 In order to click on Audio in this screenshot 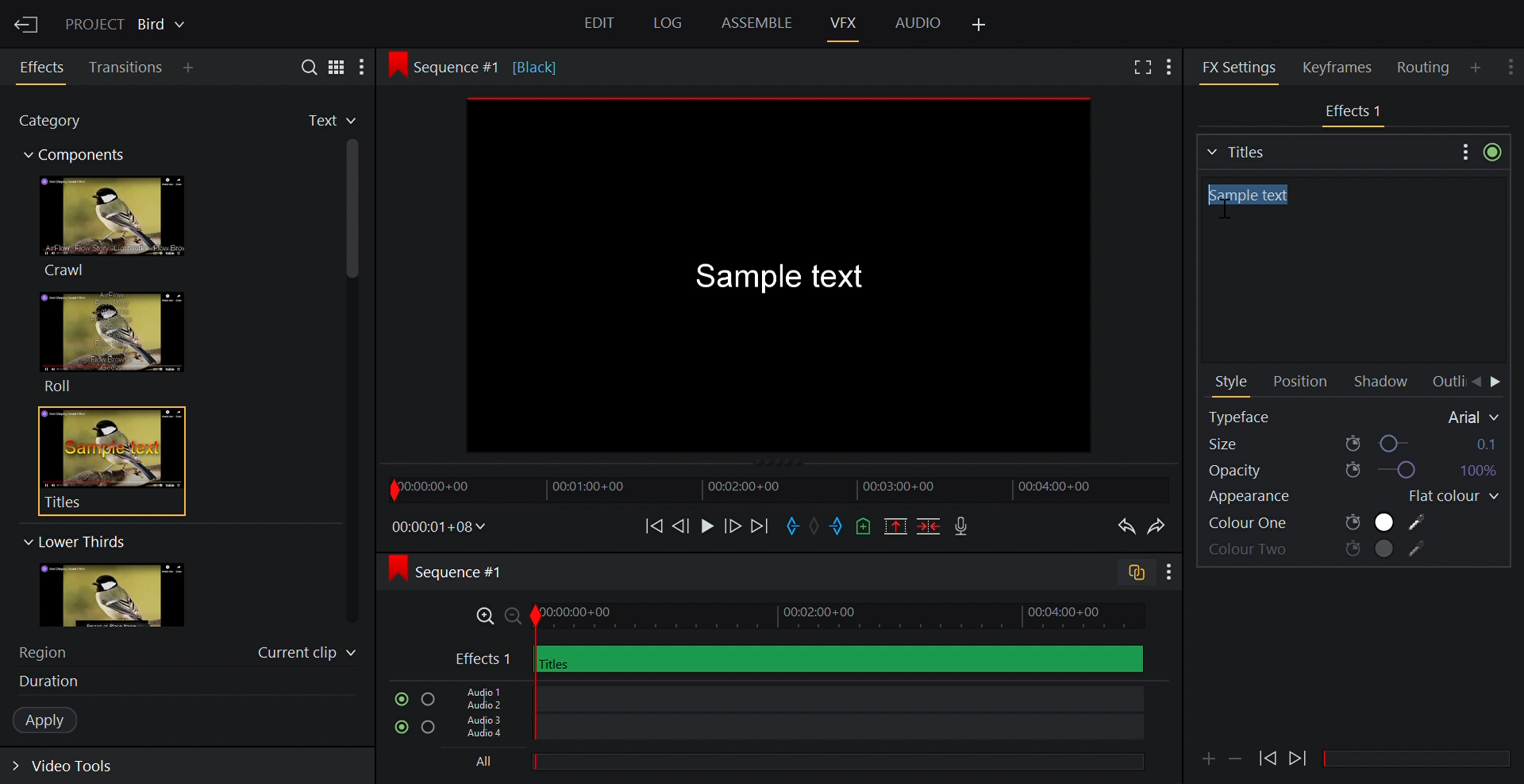, I will do `click(918, 21)`.